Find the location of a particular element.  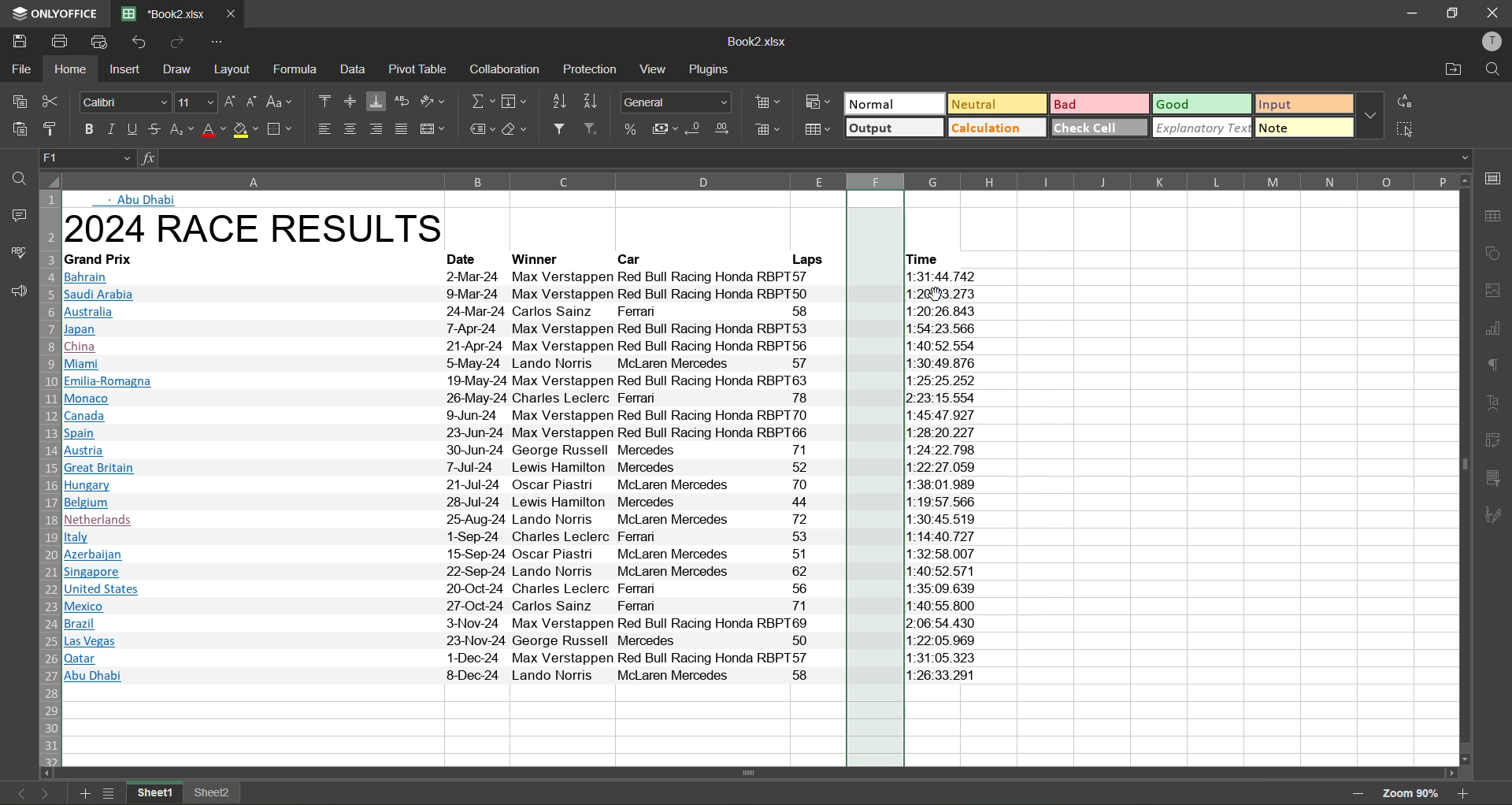

increase decimal is located at coordinates (728, 127).